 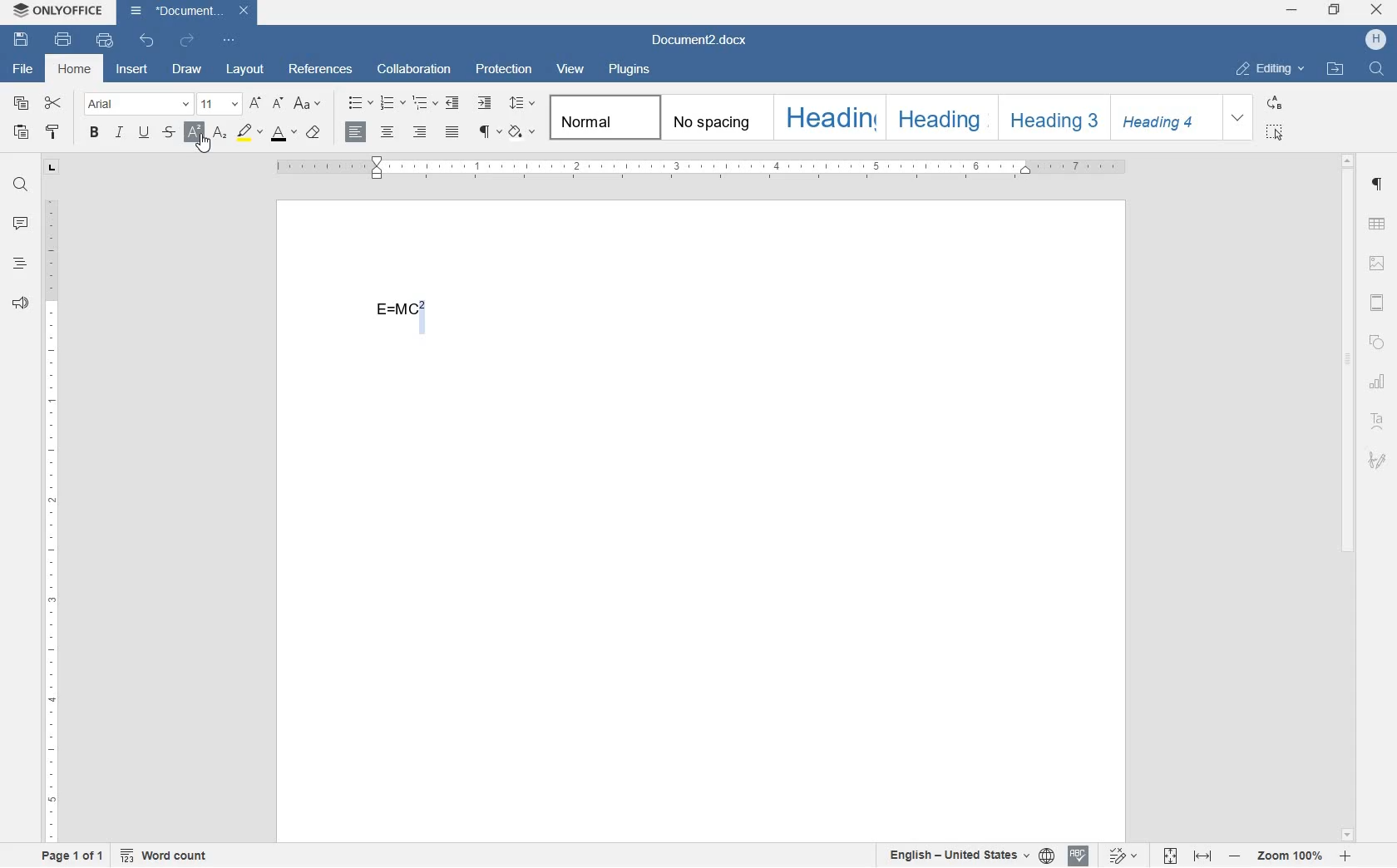 What do you see at coordinates (23, 134) in the screenshot?
I see `paste` at bounding box center [23, 134].